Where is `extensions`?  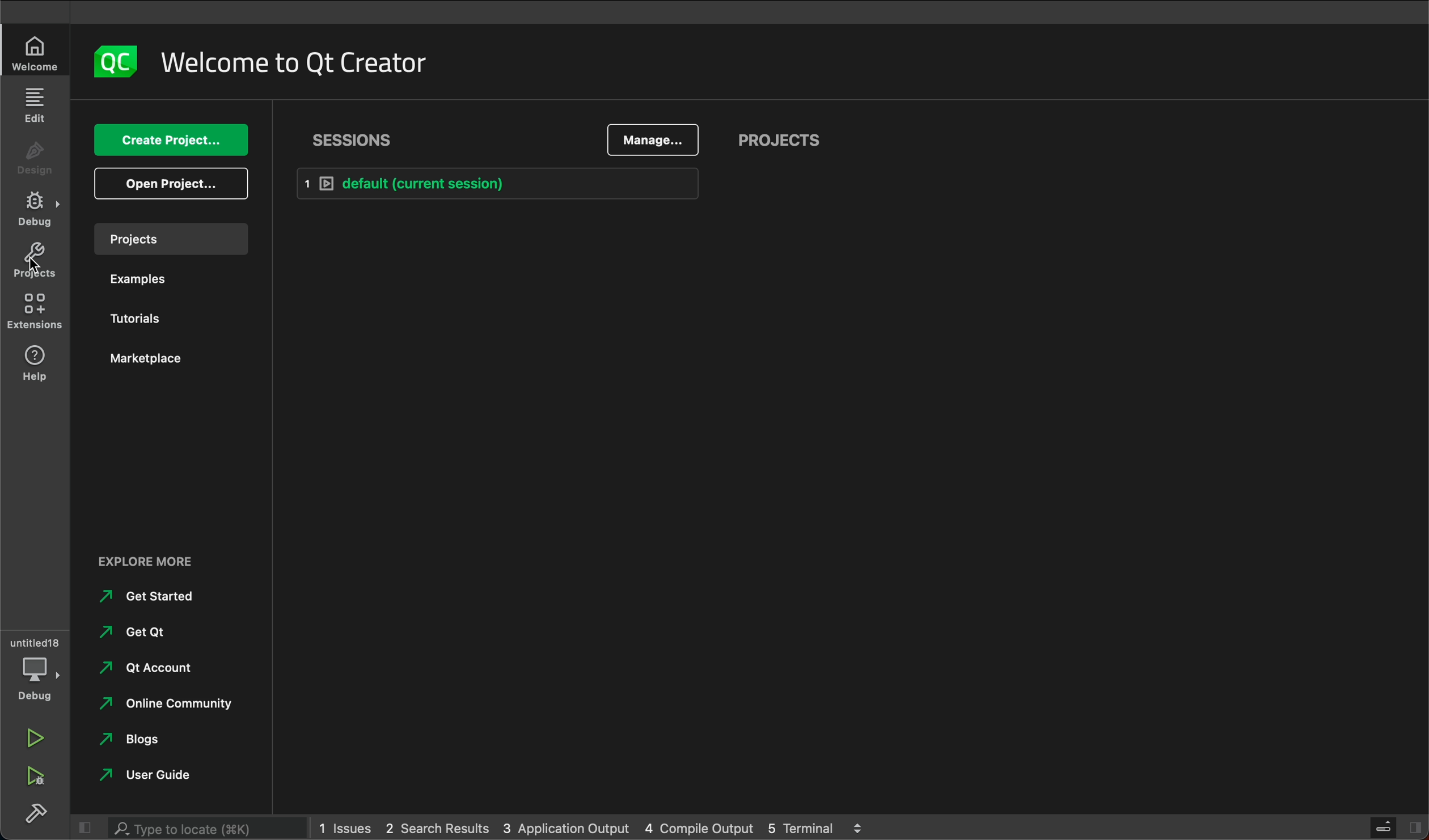
extensions is located at coordinates (34, 311).